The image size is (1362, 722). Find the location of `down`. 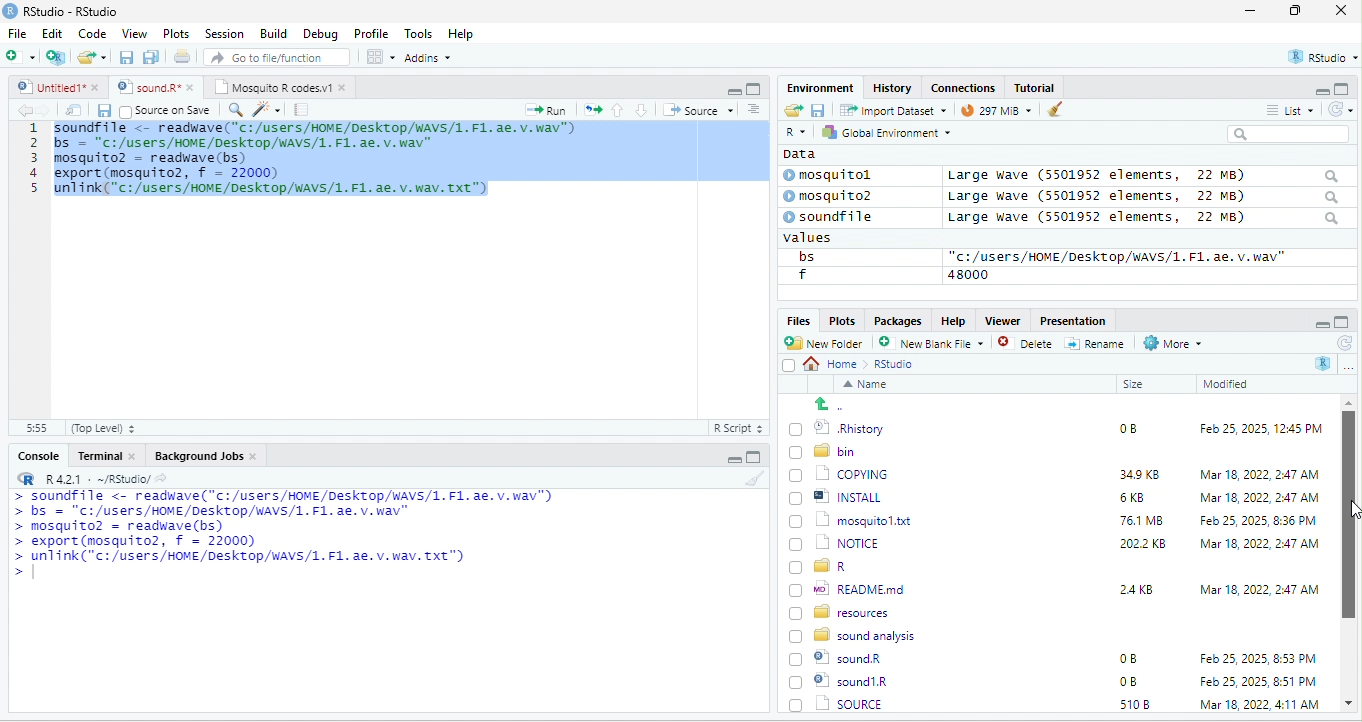

down is located at coordinates (642, 109).